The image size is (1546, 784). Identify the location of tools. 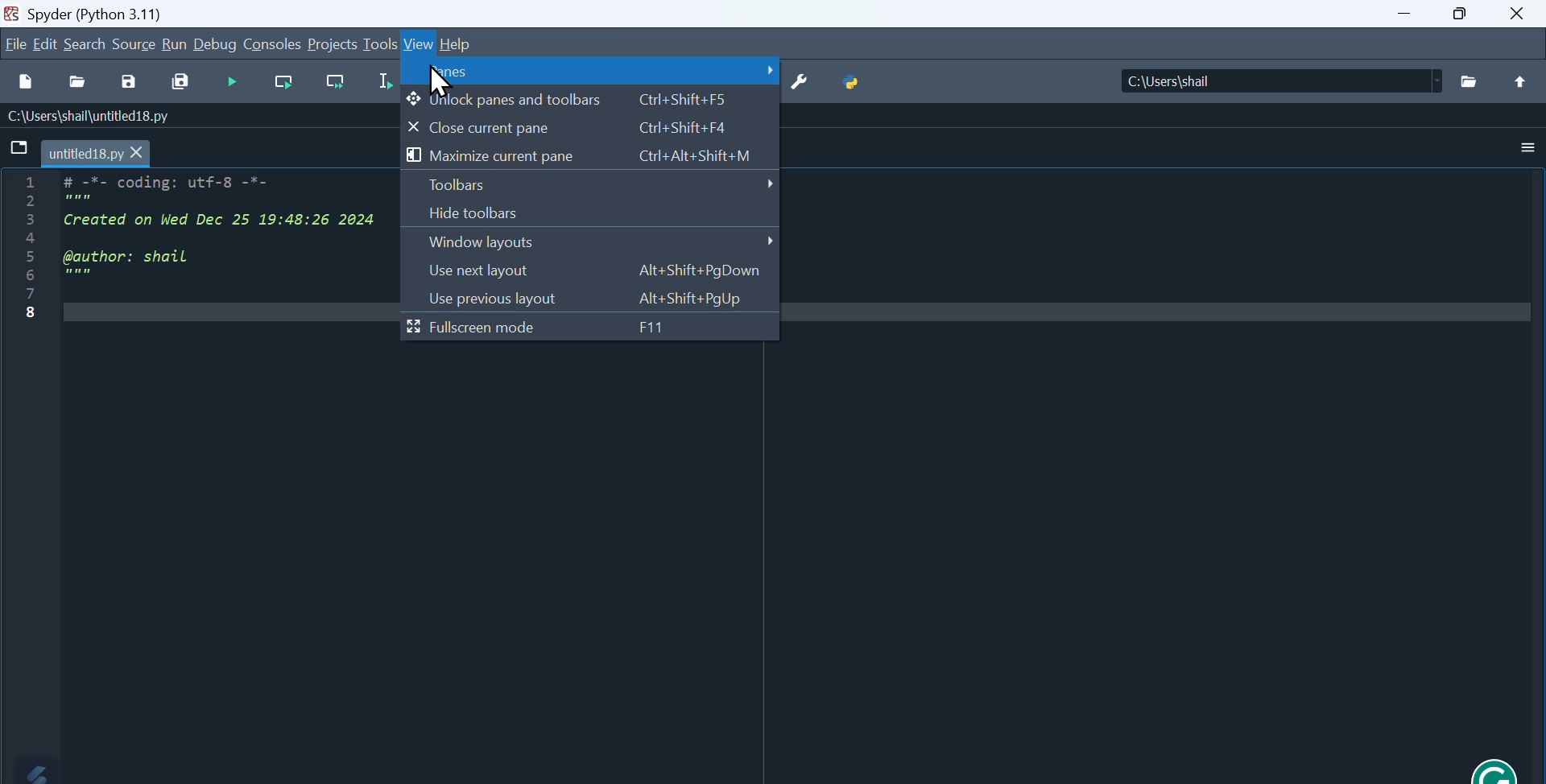
(378, 46).